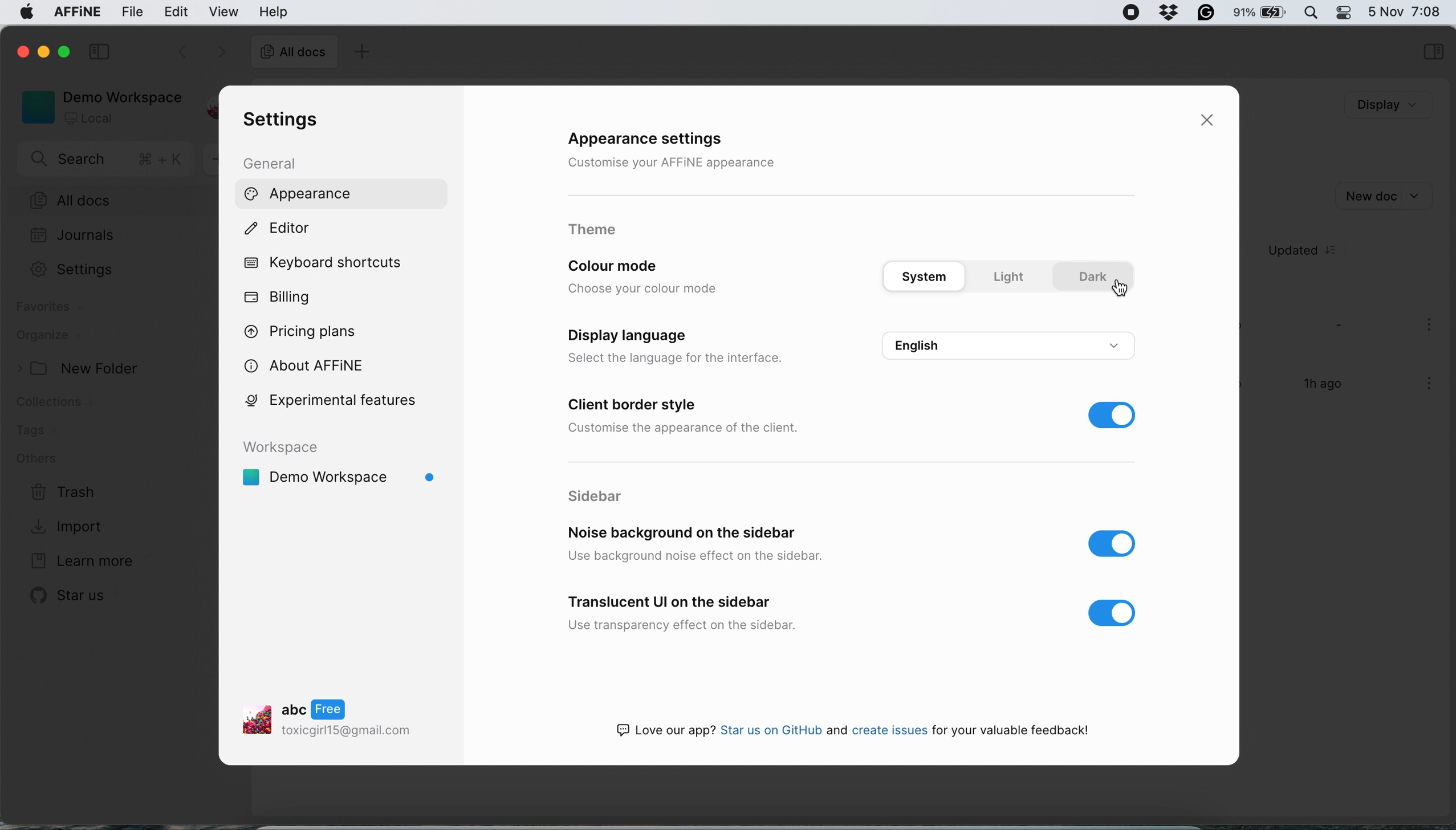  What do you see at coordinates (107, 160) in the screenshot?
I see `search` at bounding box center [107, 160].